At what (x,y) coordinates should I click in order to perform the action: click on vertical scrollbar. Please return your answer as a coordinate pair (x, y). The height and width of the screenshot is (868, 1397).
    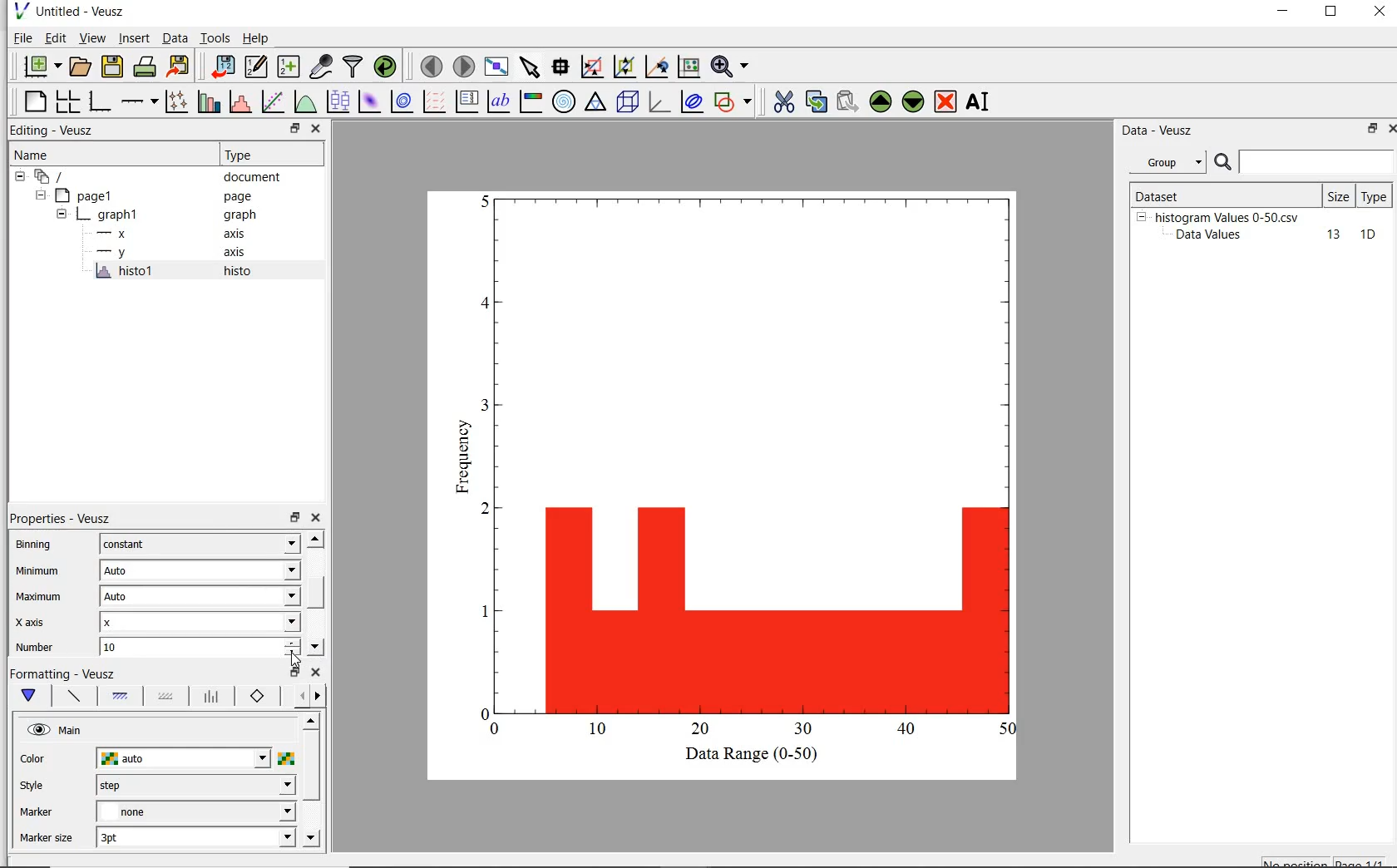
    Looking at the image, I should click on (316, 591).